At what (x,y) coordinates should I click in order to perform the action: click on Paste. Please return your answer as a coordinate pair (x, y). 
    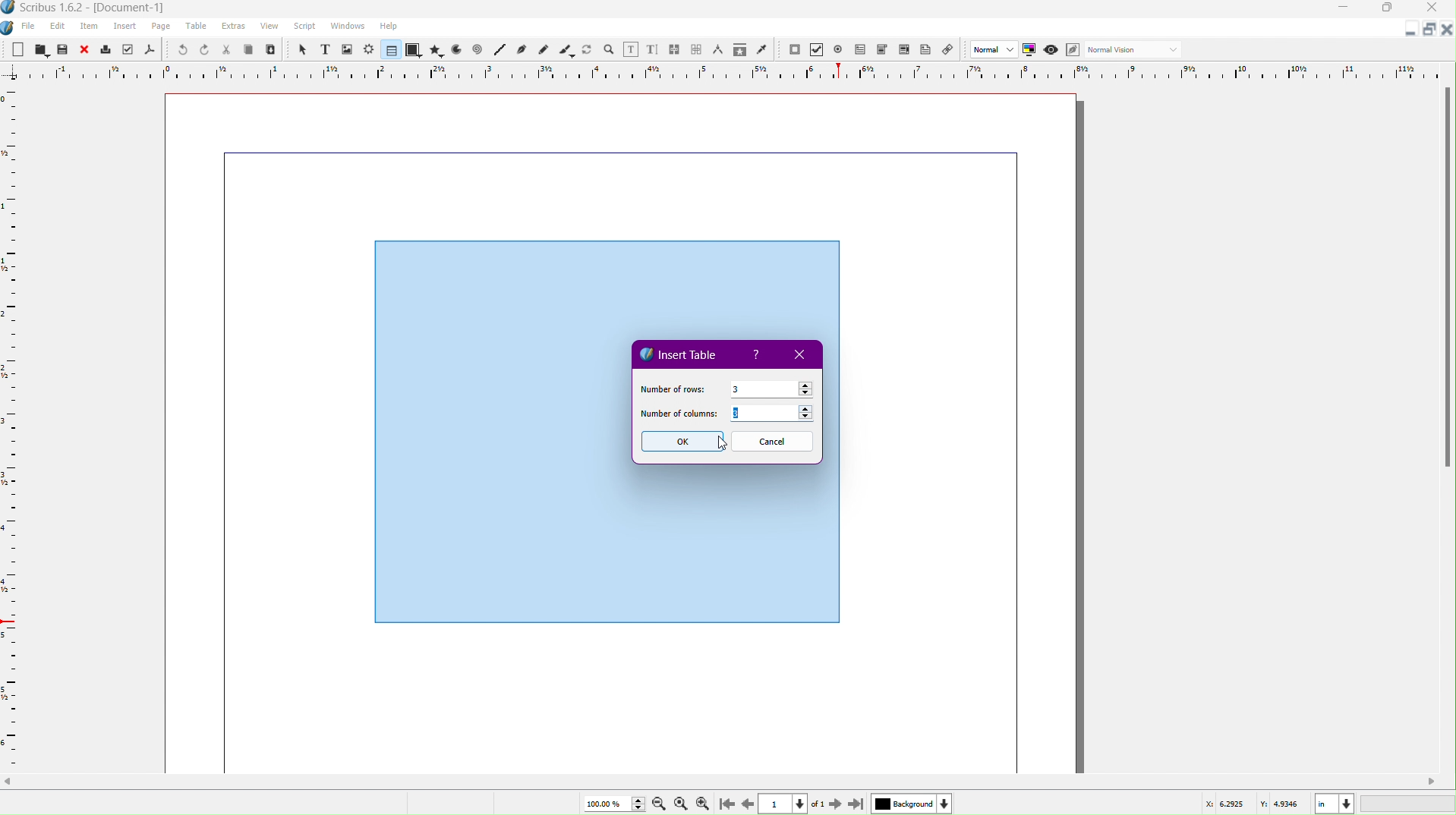
    Looking at the image, I should click on (272, 50).